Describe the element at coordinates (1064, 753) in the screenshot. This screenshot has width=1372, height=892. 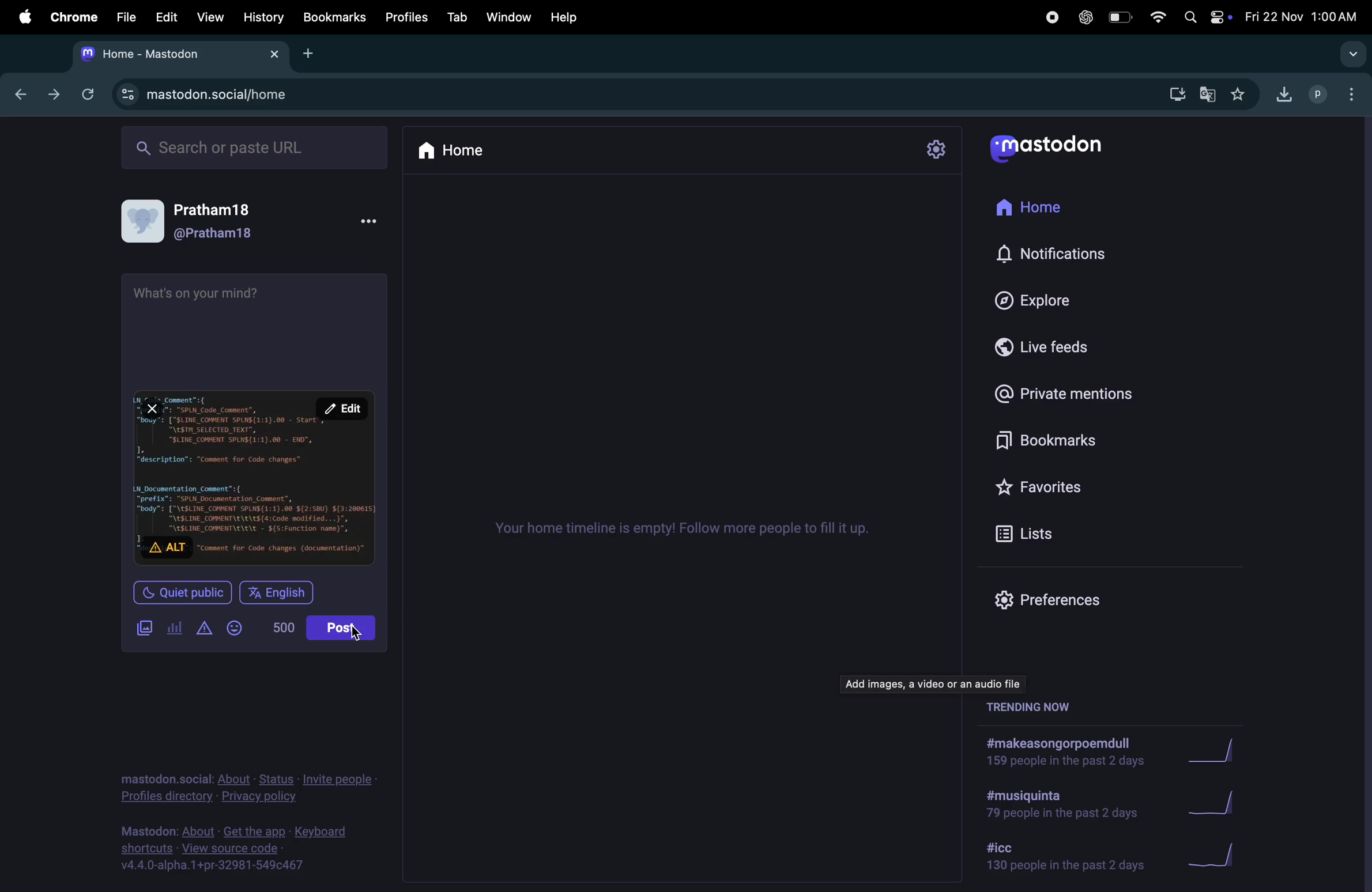
I see `hashtags` at that location.